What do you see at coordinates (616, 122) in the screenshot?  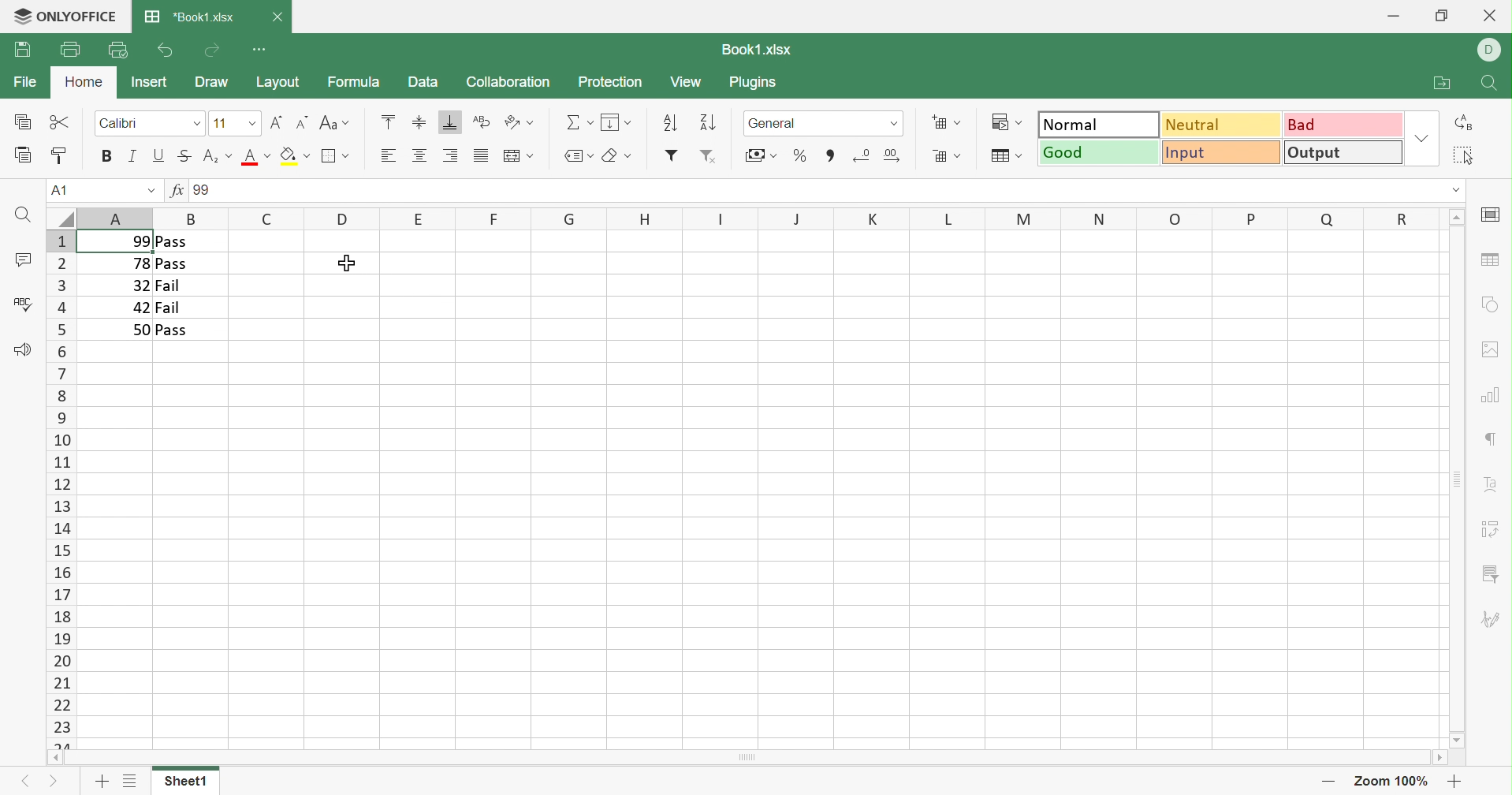 I see `Fill` at bounding box center [616, 122].